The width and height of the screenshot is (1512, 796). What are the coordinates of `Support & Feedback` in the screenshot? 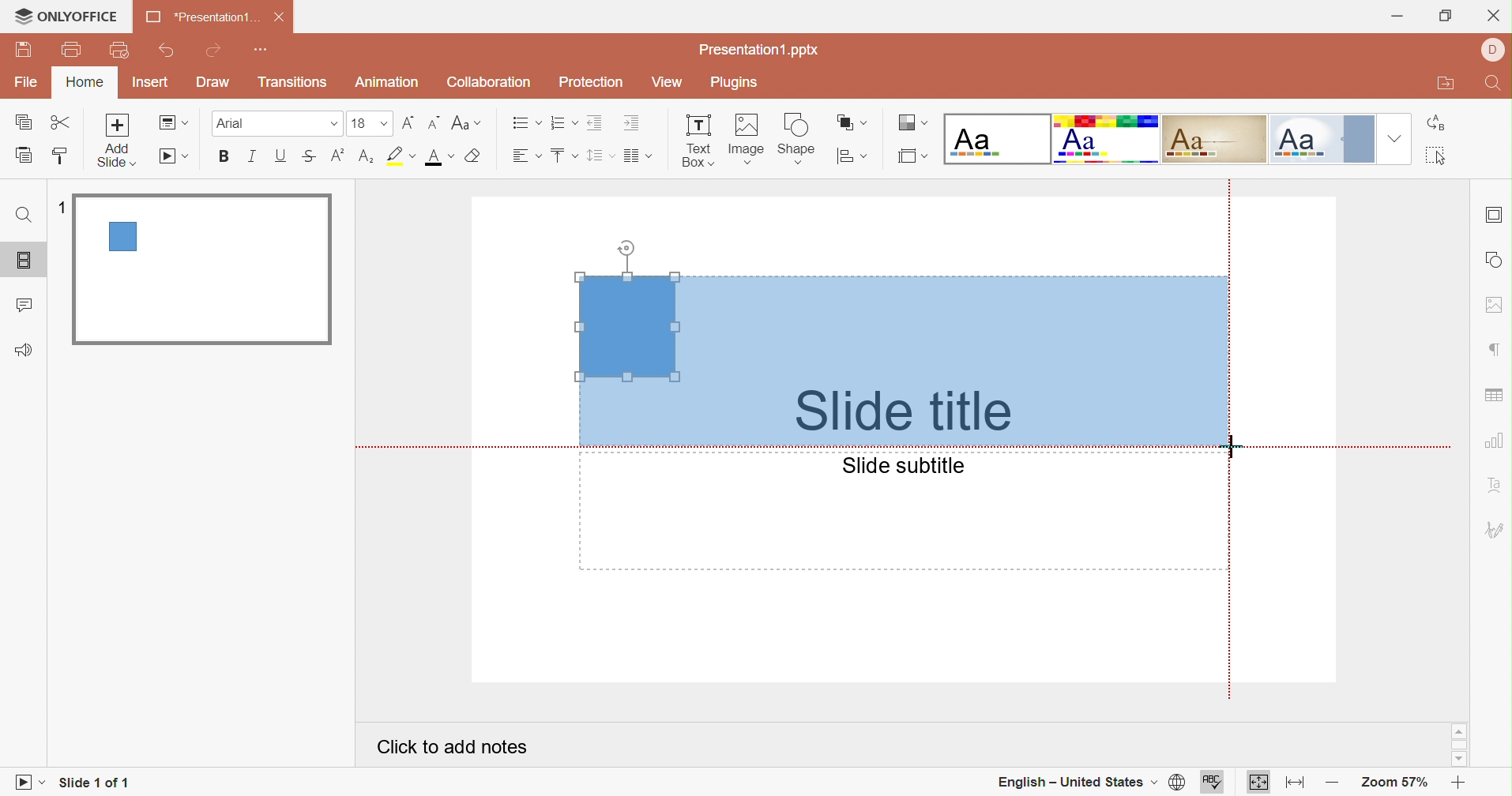 It's located at (23, 351).